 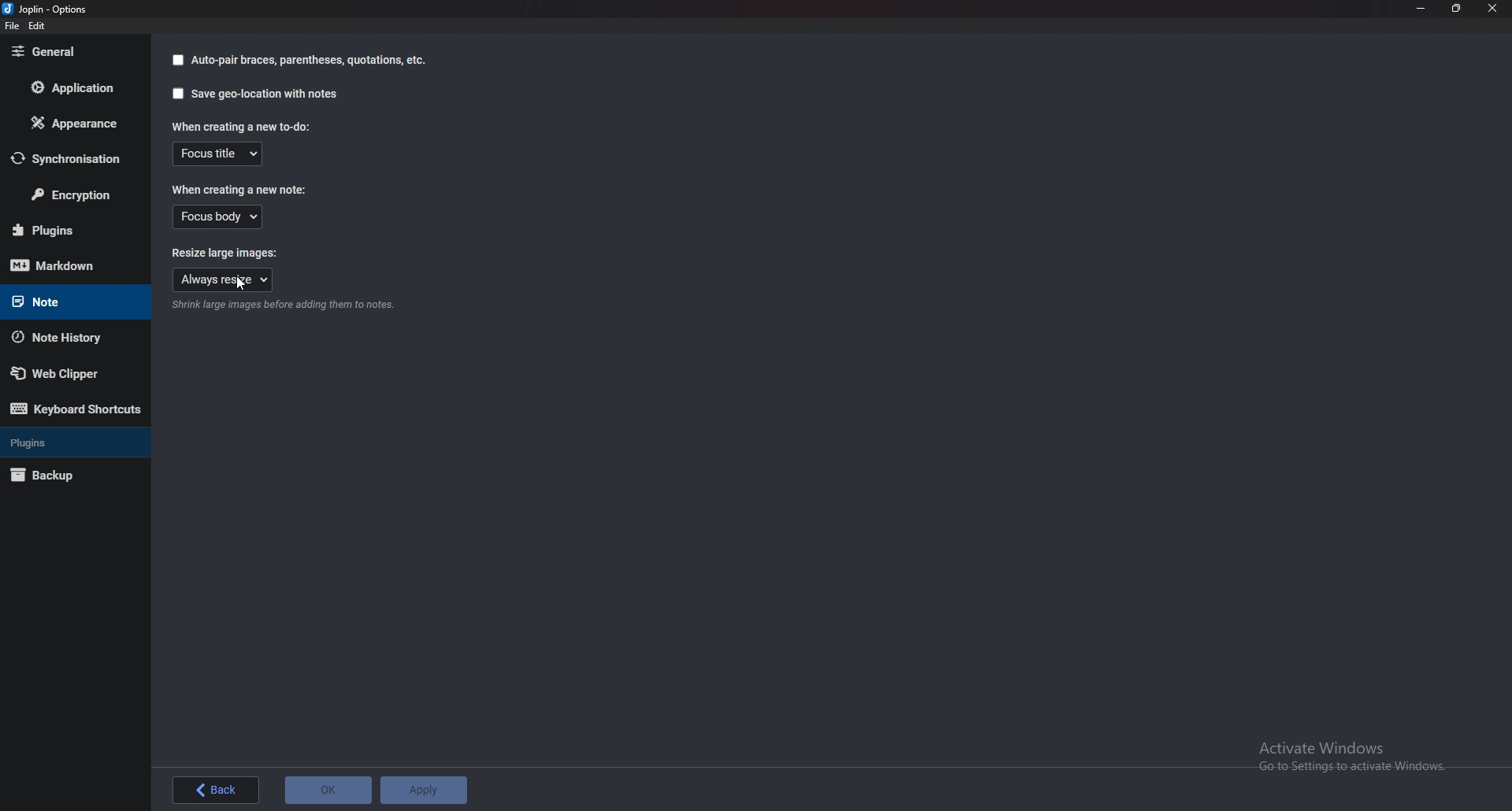 What do you see at coordinates (66, 266) in the screenshot?
I see `Mark down` at bounding box center [66, 266].